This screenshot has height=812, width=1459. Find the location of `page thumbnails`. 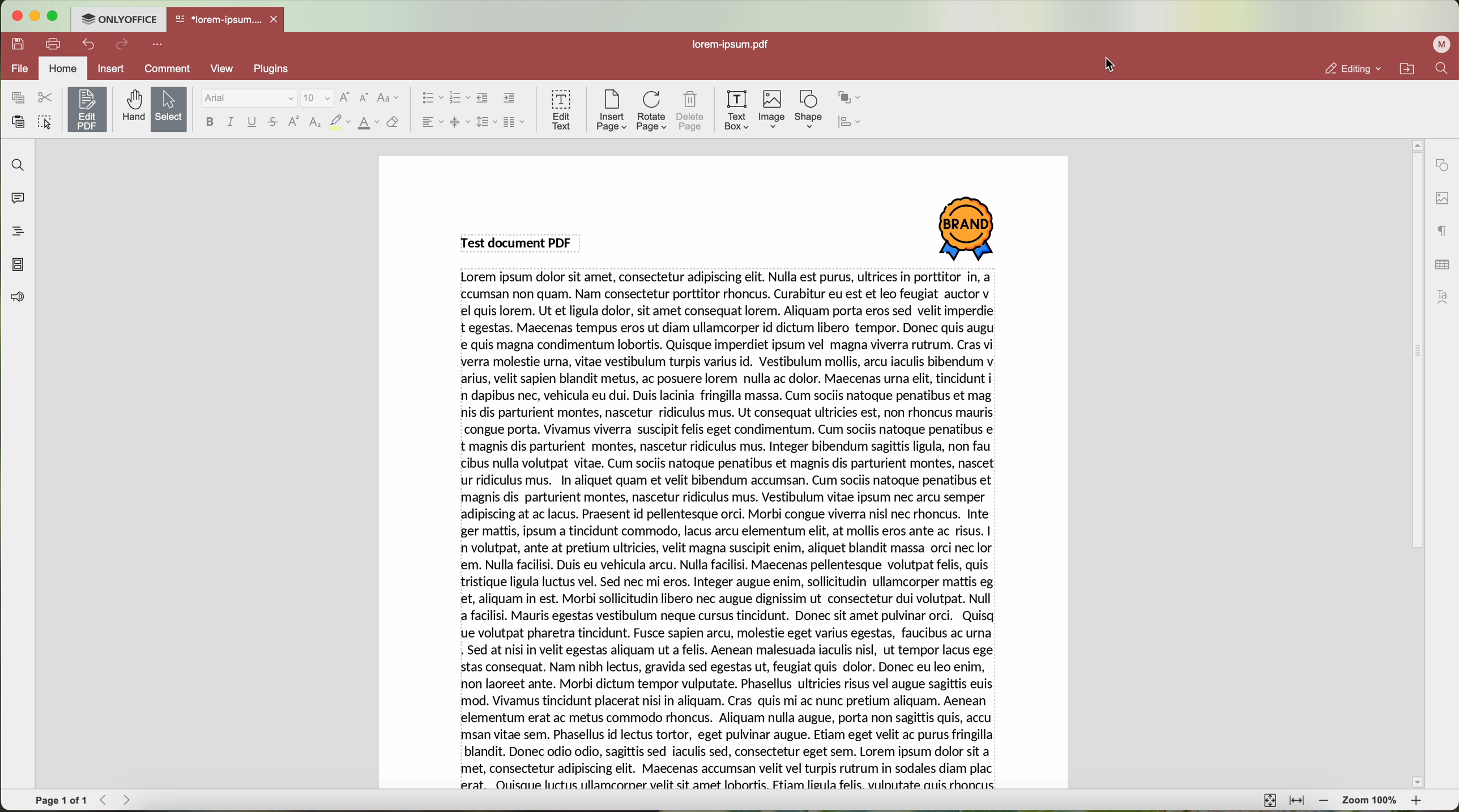

page thumbnails is located at coordinates (17, 264).